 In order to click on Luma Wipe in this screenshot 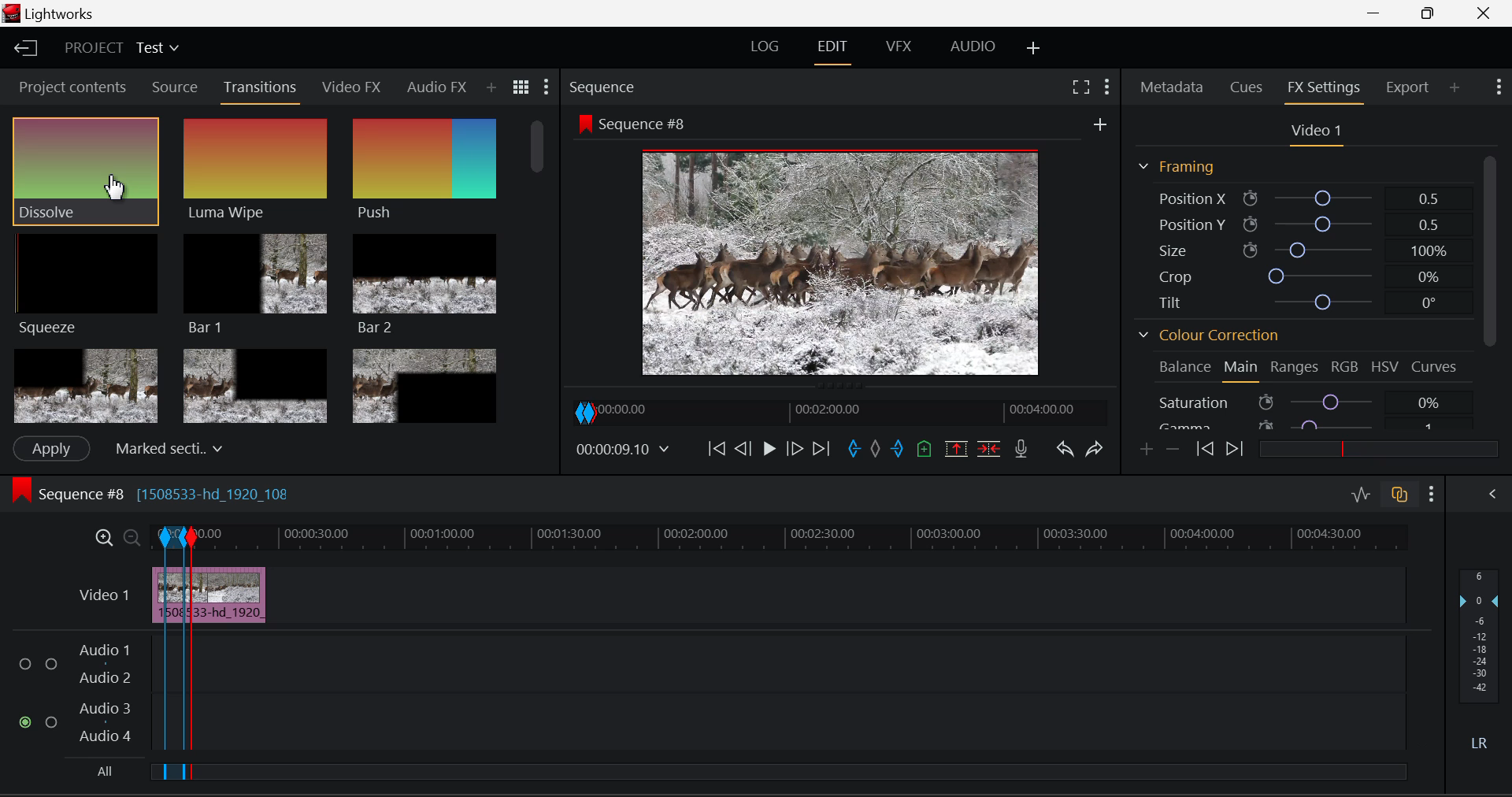, I will do `click(256, 170)`.